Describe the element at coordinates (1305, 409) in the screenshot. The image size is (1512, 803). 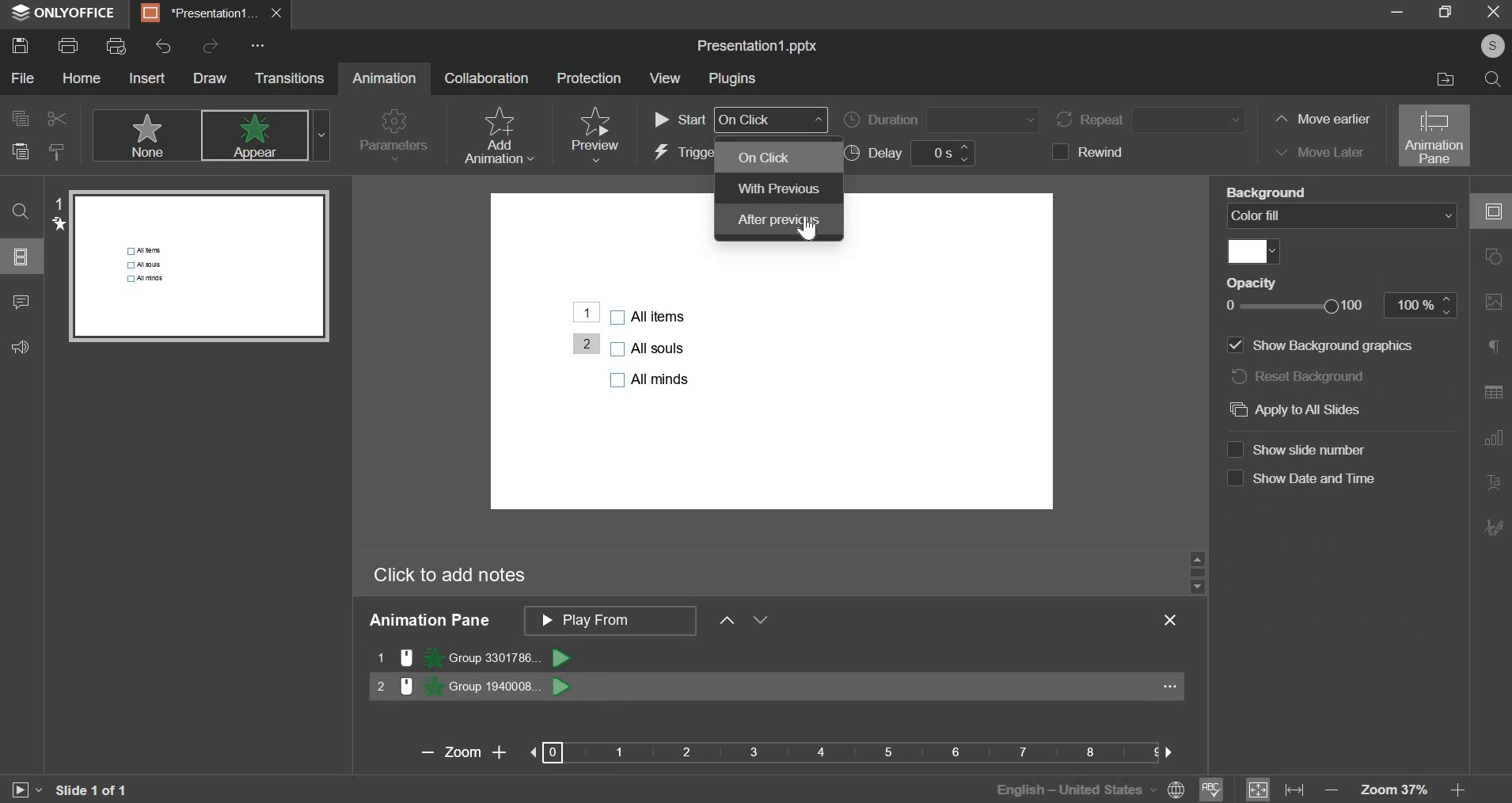
I see `apply to all slides` at that location.